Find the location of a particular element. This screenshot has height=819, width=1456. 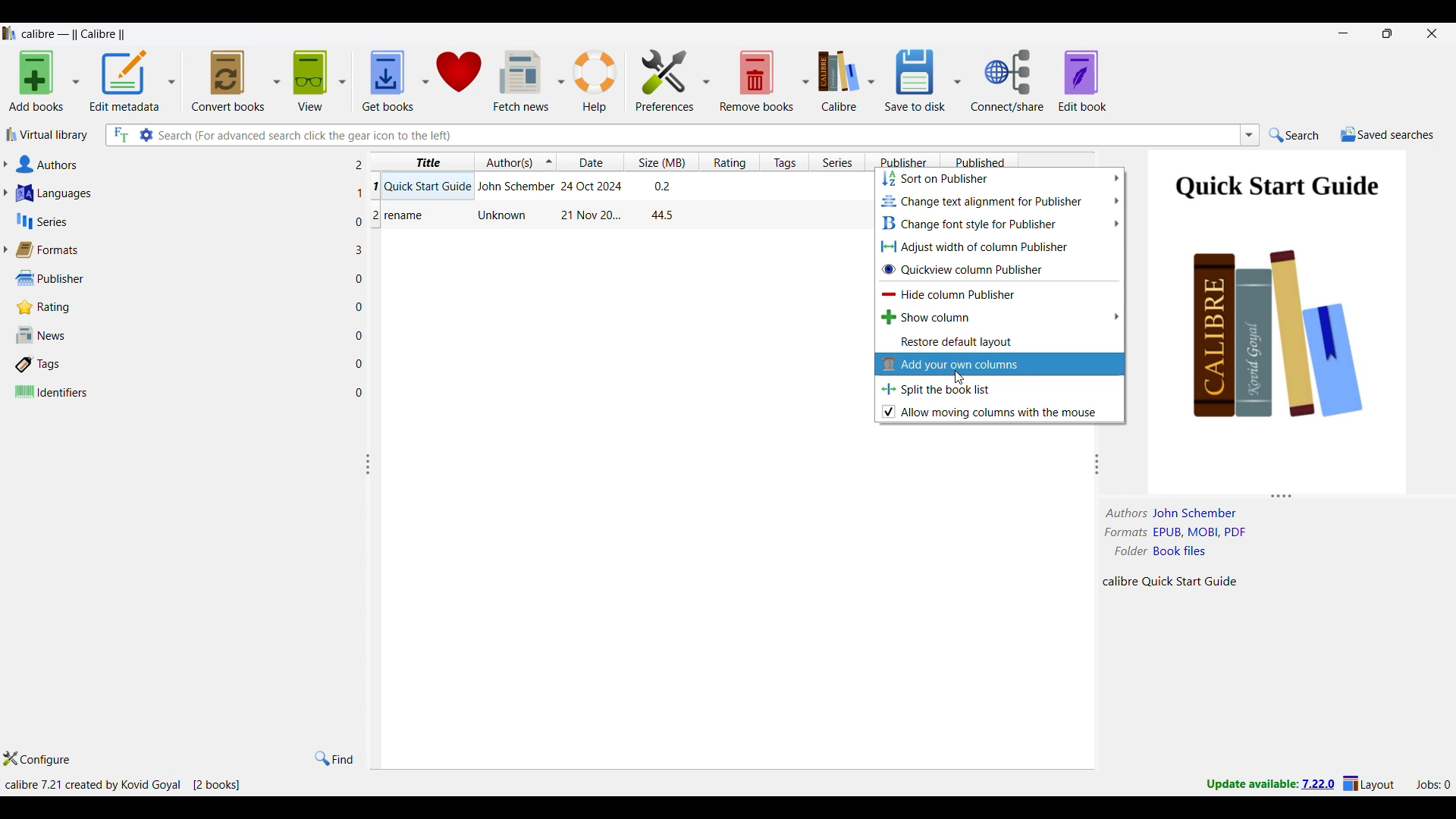

News settings is located at coordinates (529, 81).